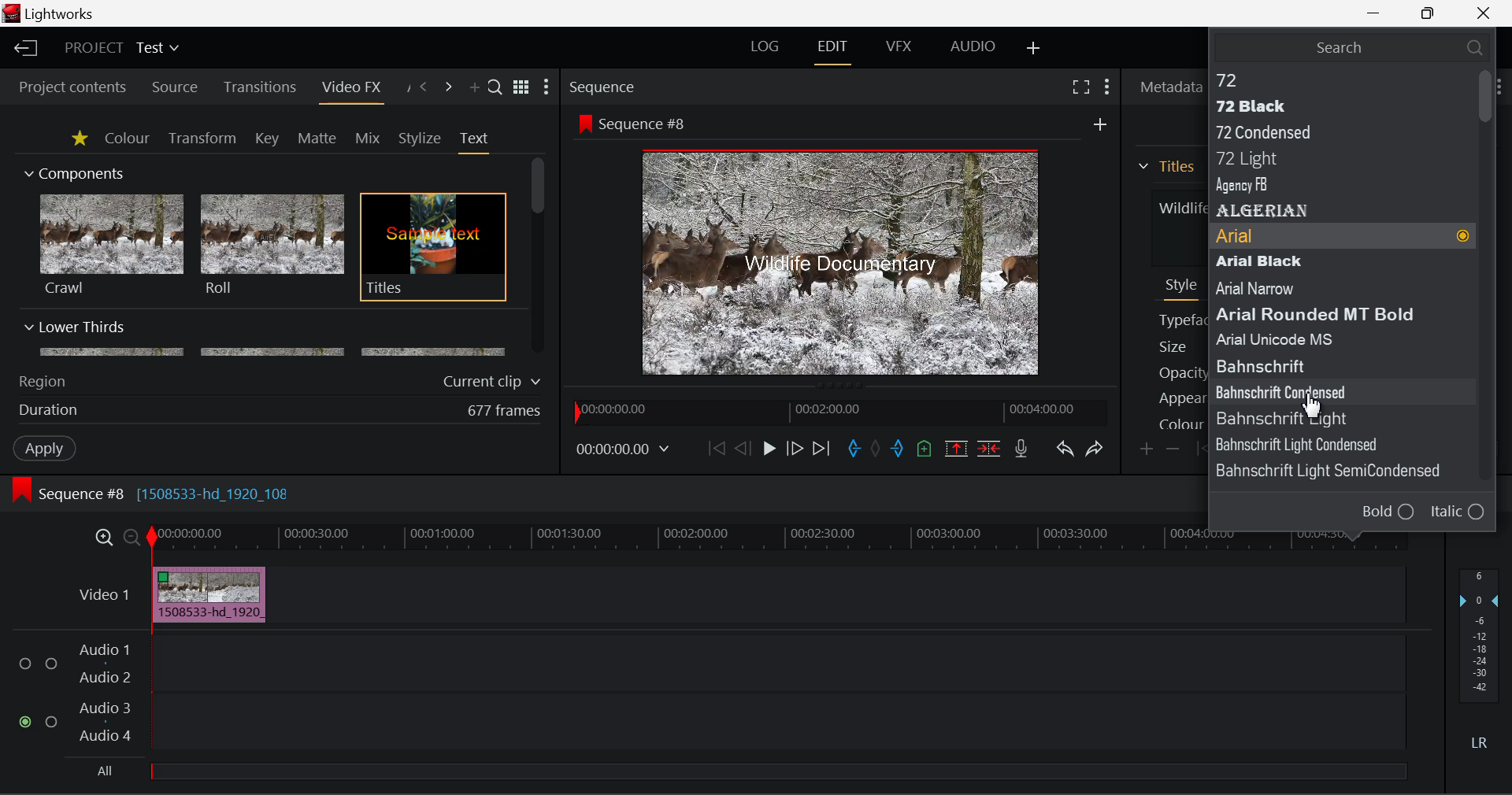 Image resolution: width=1512 pixels, height=795 pixels. I want to click on Mark Out, so click(899, 450).